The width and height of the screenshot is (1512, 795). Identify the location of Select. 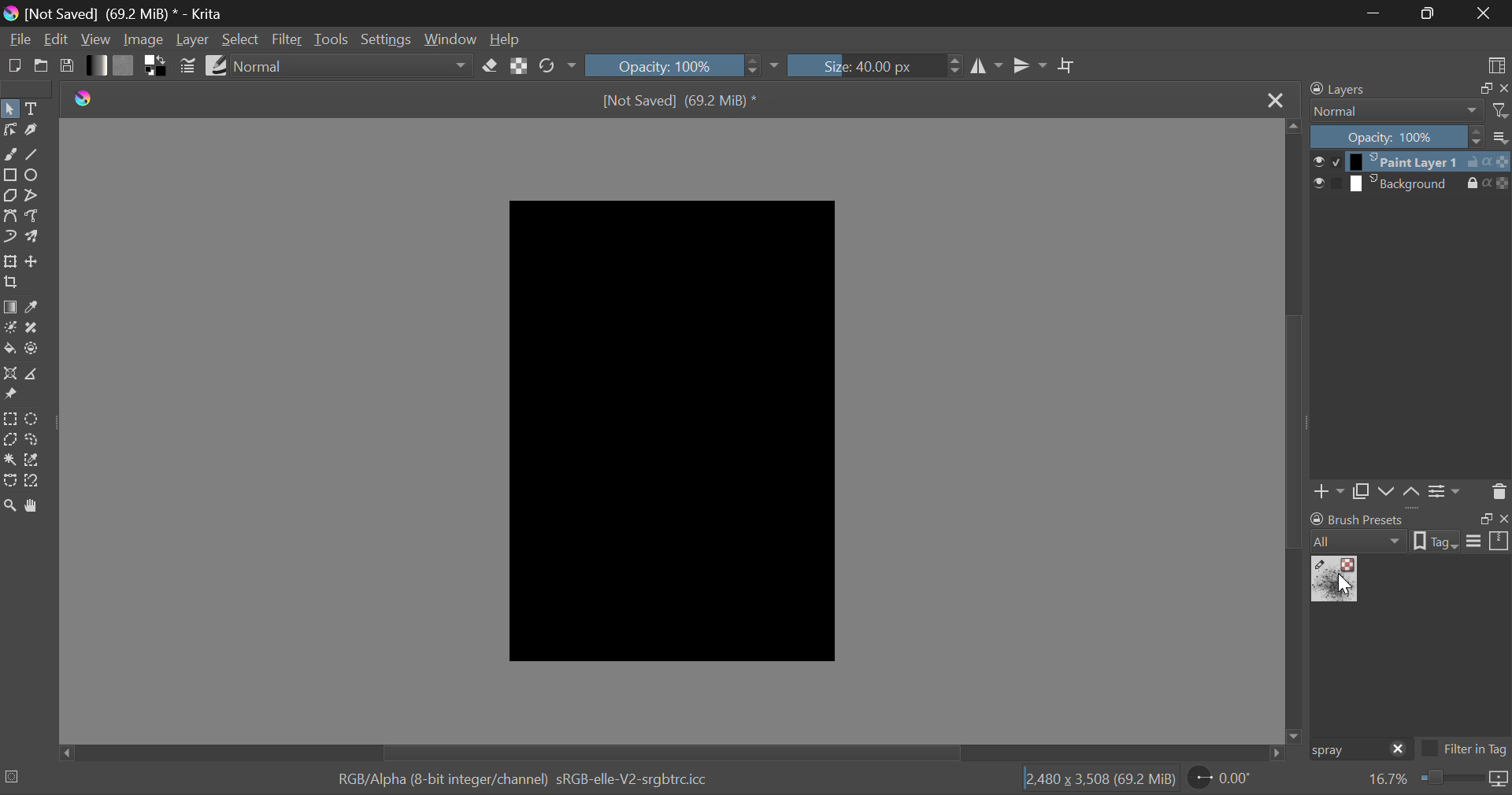
(241, 39).